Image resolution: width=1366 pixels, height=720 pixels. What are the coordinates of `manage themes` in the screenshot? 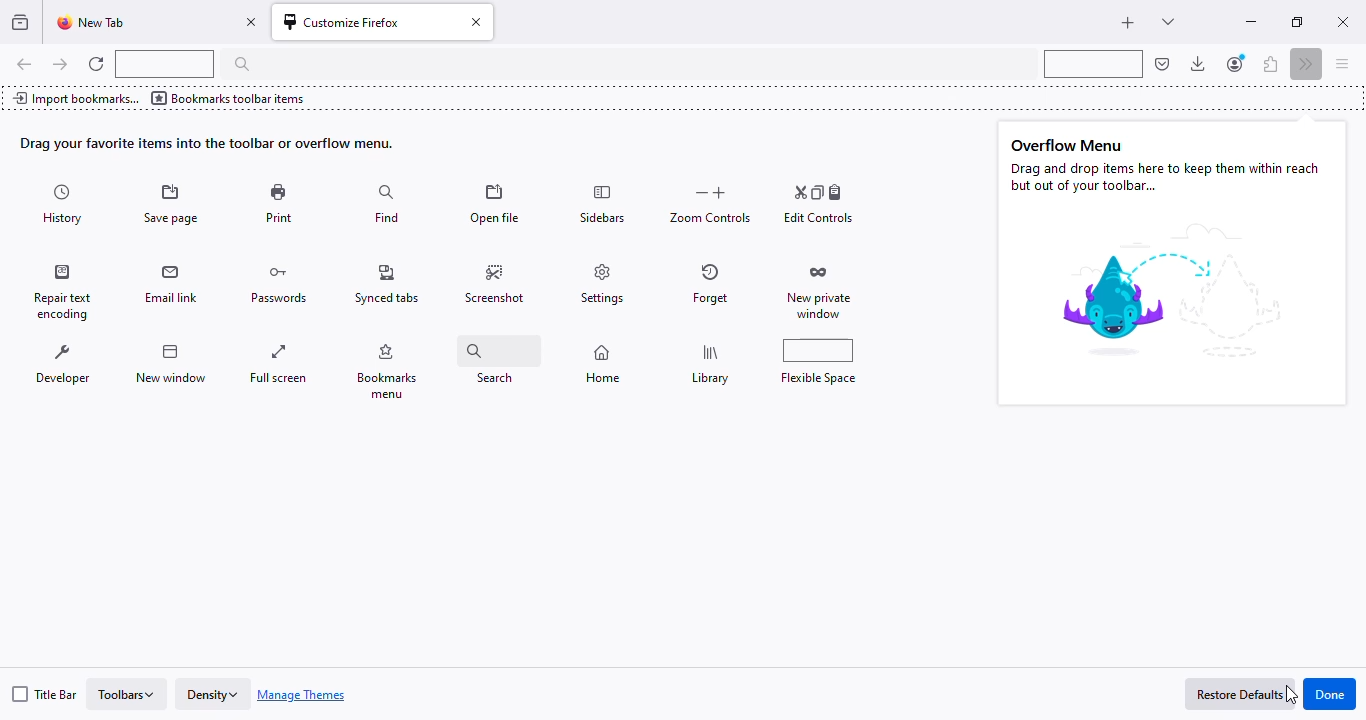 It's located at (301, 695).